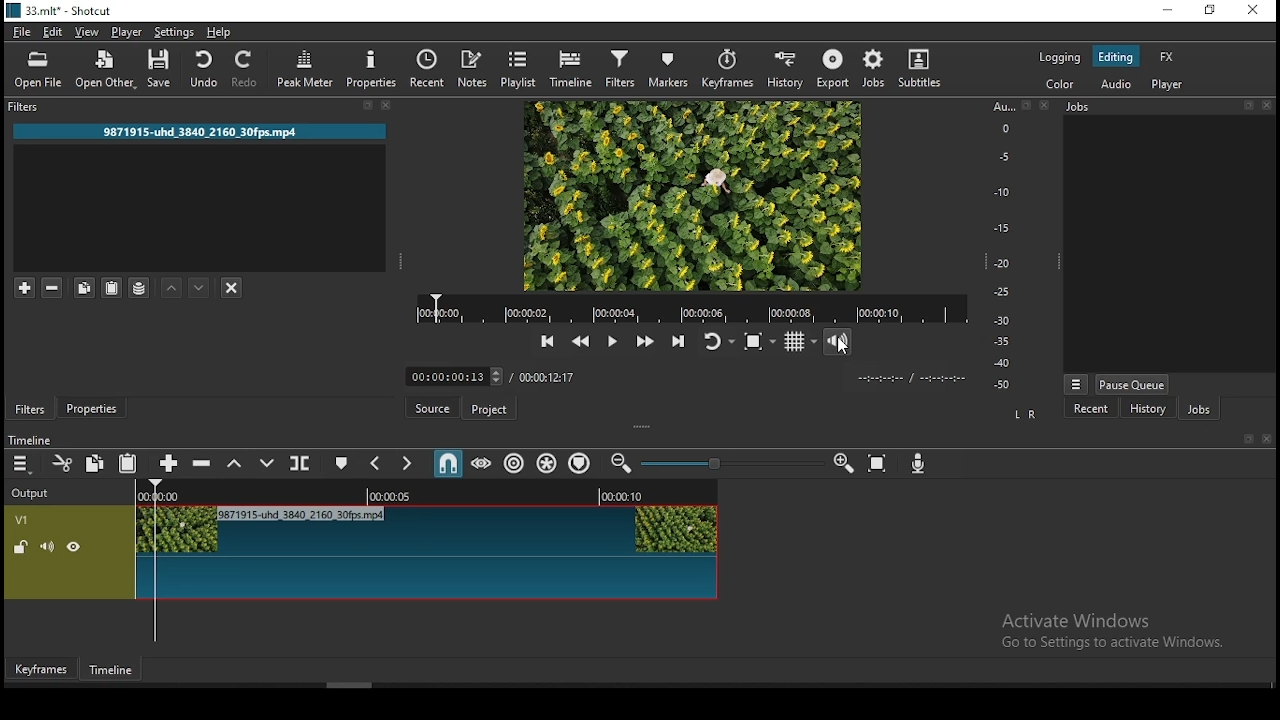  What do you see at coordinates (515, 463) in the screenshot?
I see `ripple` at bounding box center [515, 463].